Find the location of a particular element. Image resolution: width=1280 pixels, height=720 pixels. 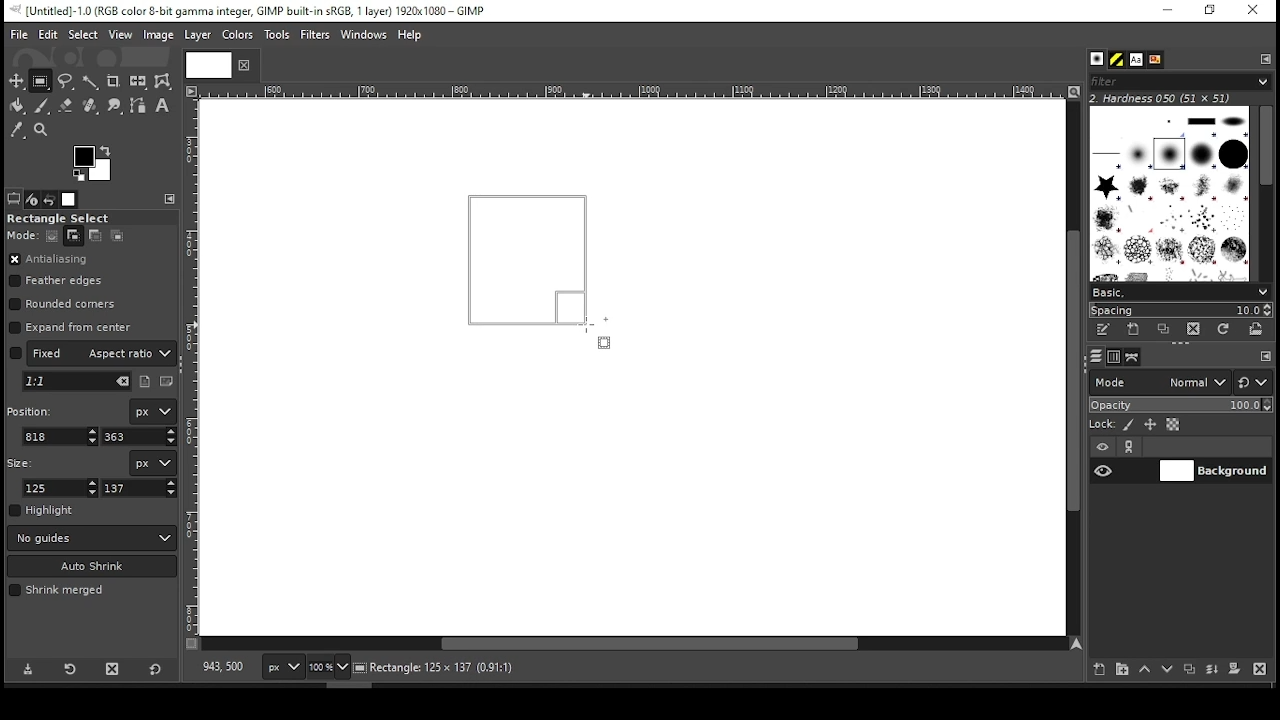

close is located at coordinates (242, 65).